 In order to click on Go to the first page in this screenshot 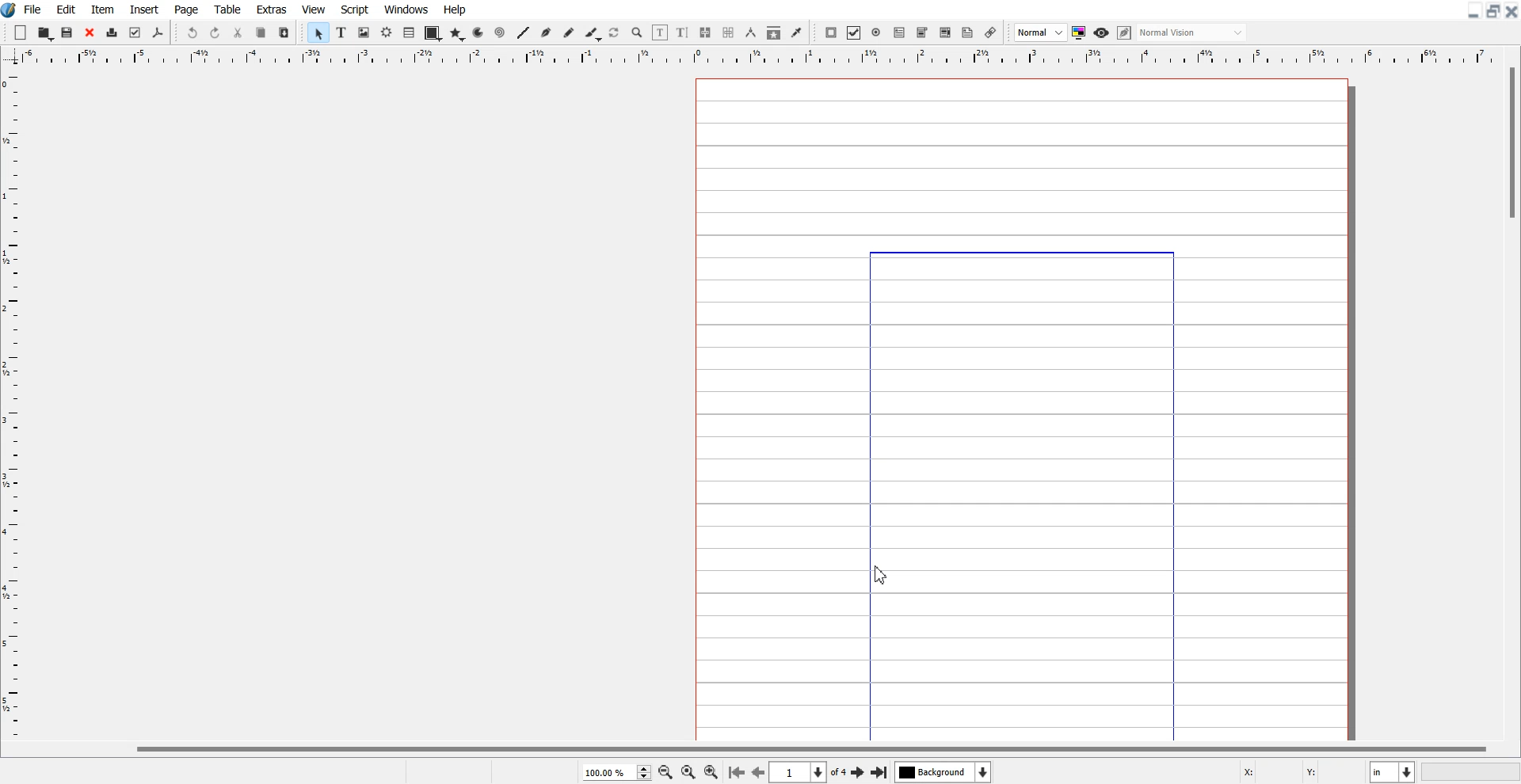, I will do `click(881, 772)`.